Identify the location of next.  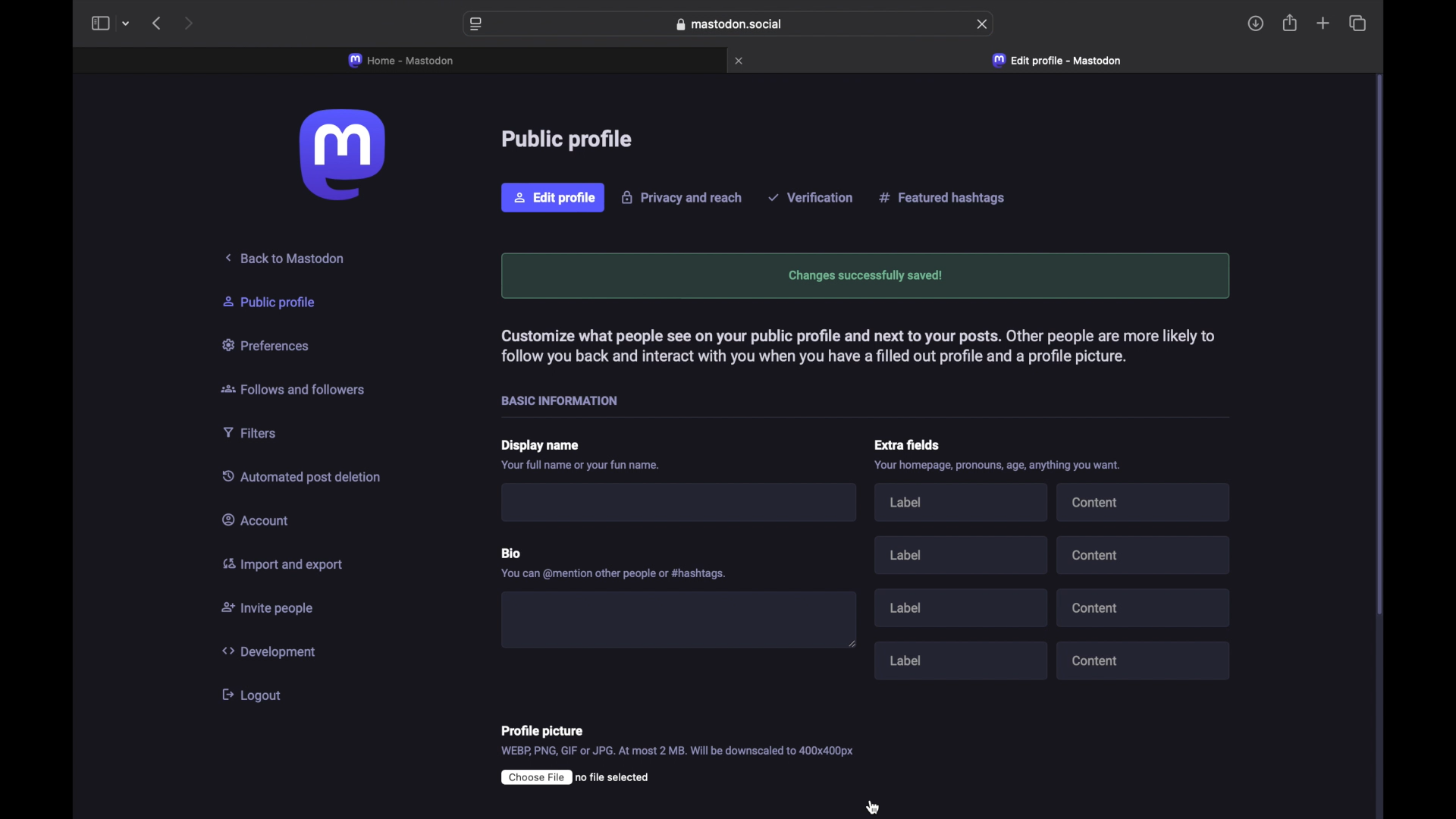
(188, 23).